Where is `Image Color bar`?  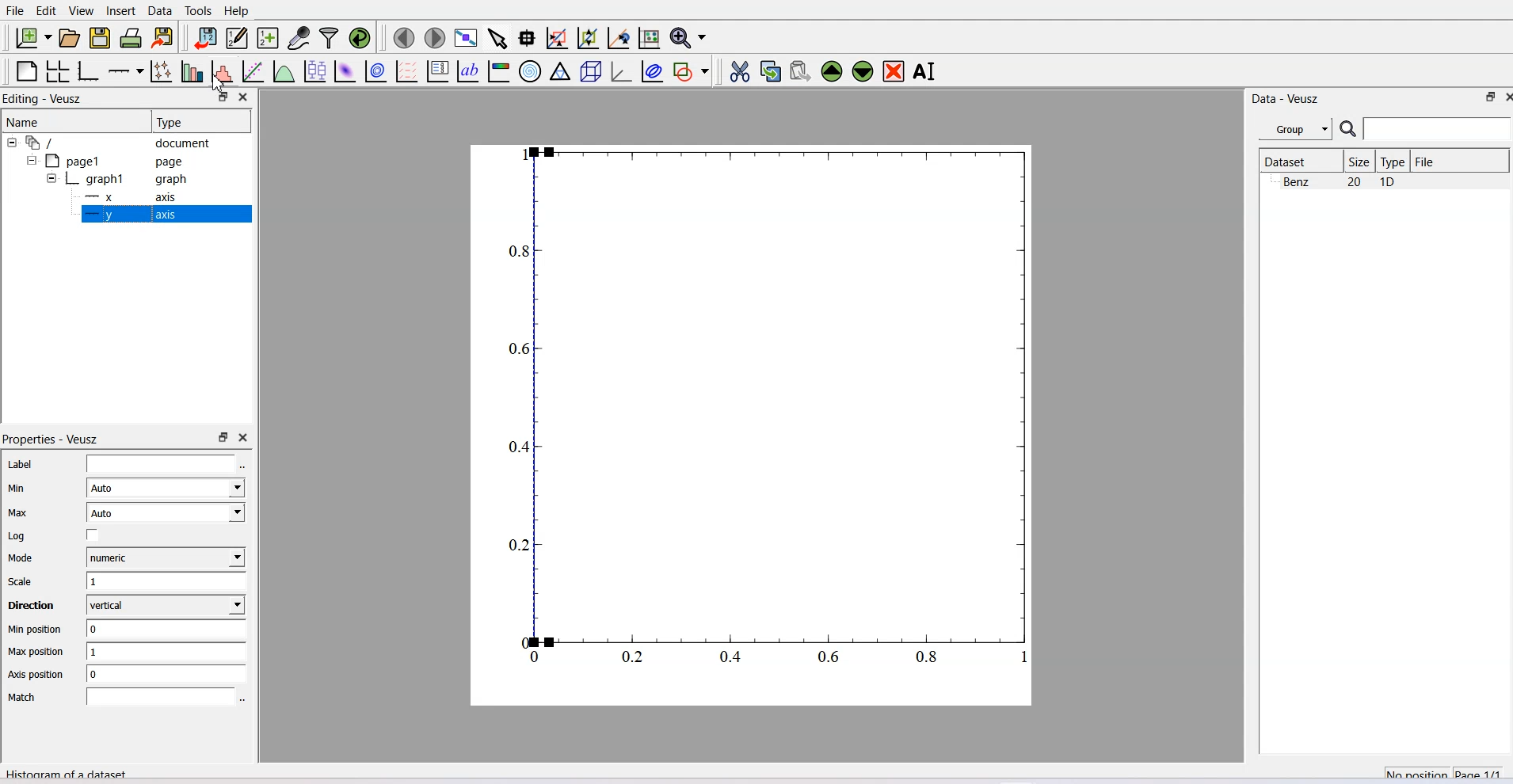
Image Color bar is located at coordinates (499, 72).